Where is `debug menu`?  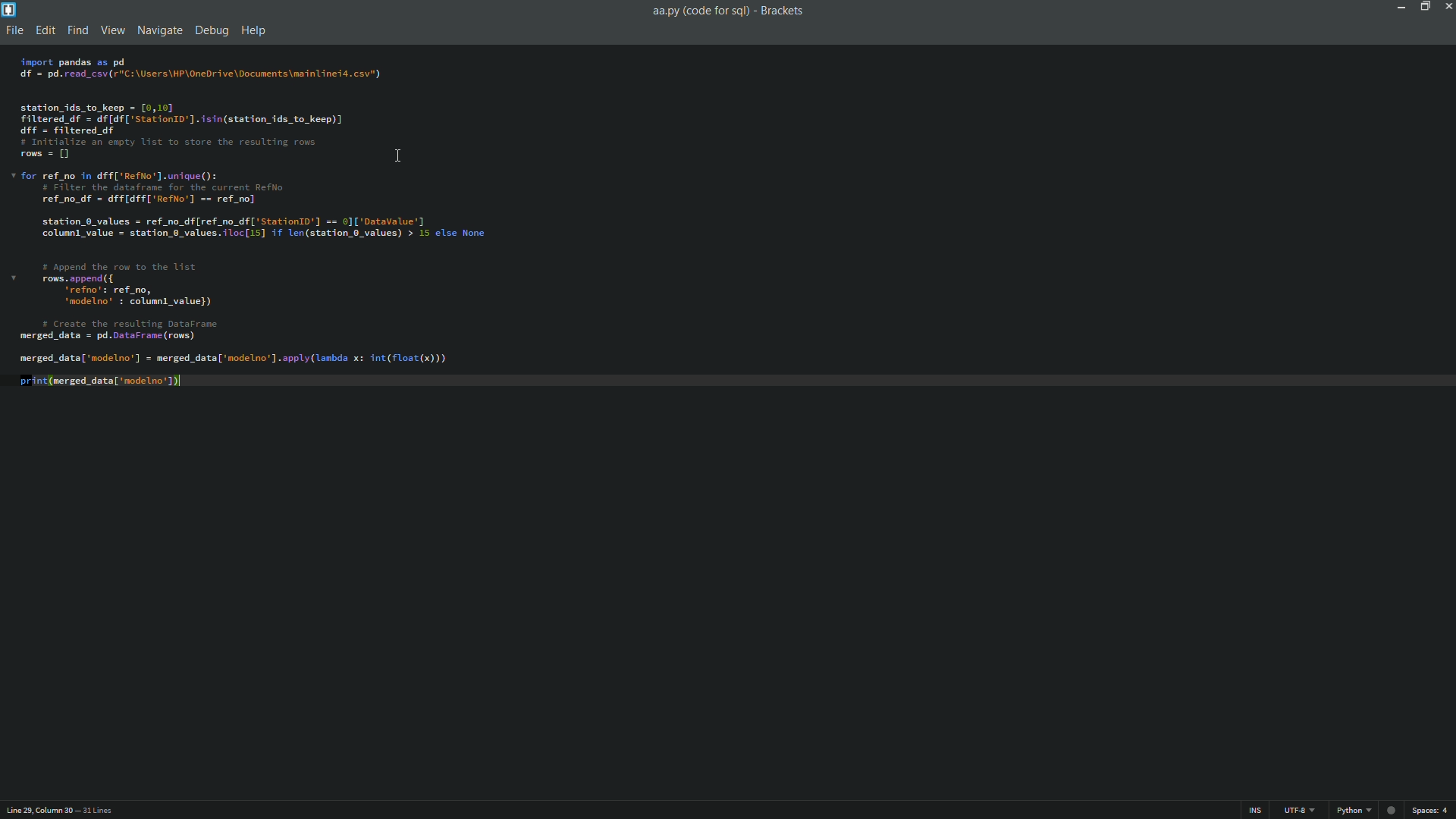
debug menu is located at coordinates (211, 30).